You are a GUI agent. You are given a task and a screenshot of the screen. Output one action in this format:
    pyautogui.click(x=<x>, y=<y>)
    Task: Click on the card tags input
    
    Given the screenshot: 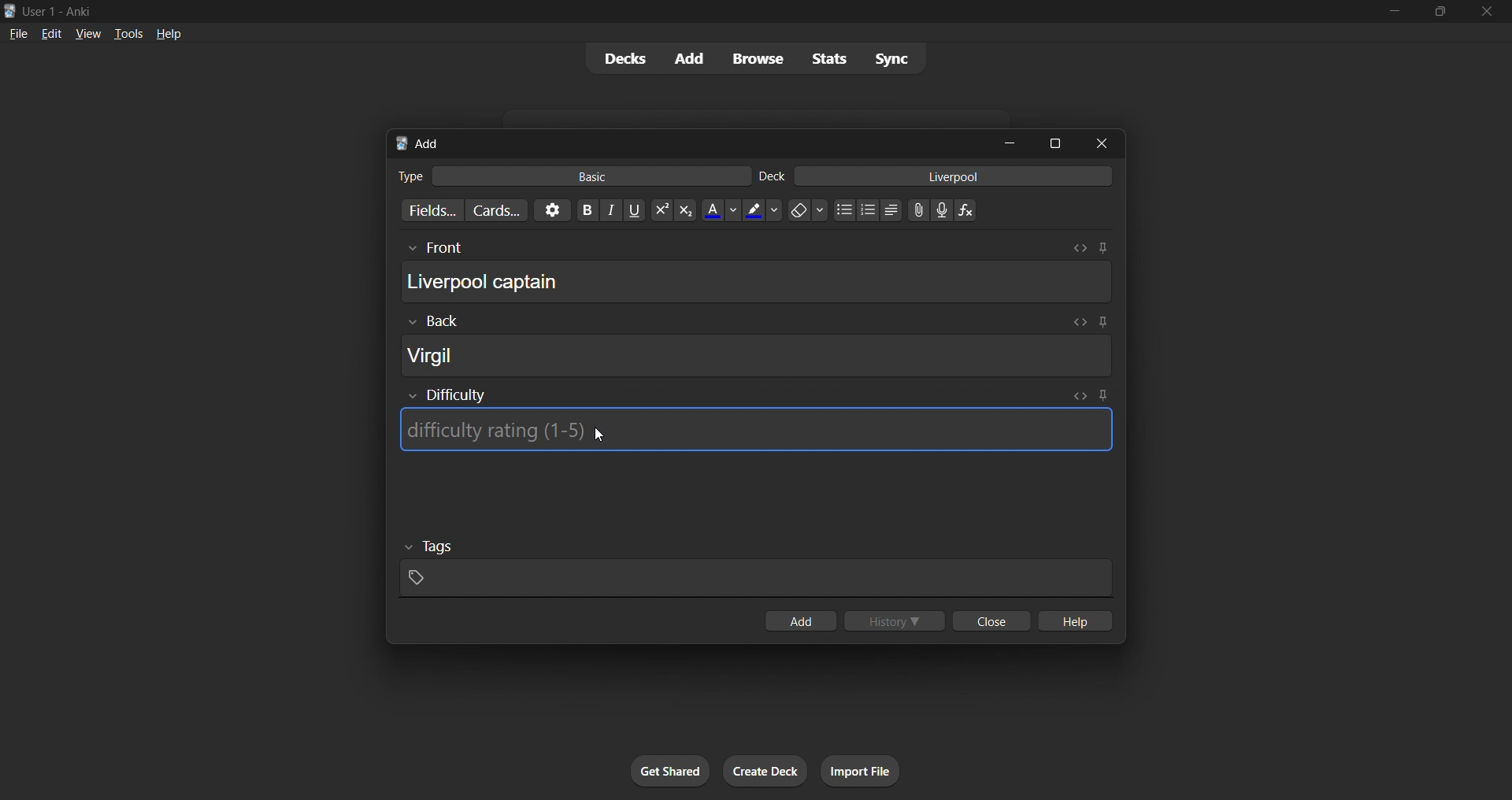 What is the action you would take?
    pyautogui.click(x=756, y=579)
    